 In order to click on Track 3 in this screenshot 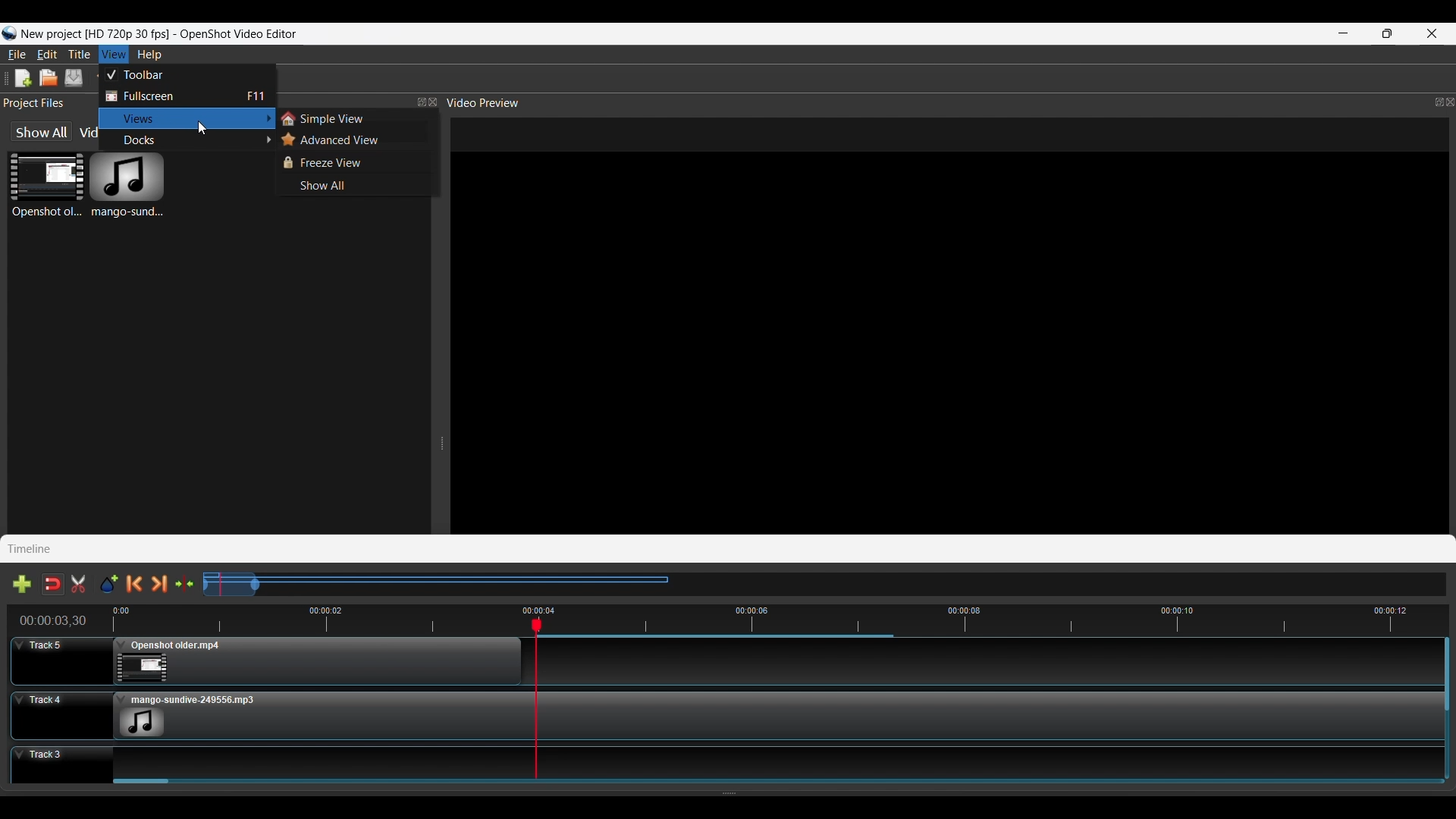, I will do `click(719, 761)`.